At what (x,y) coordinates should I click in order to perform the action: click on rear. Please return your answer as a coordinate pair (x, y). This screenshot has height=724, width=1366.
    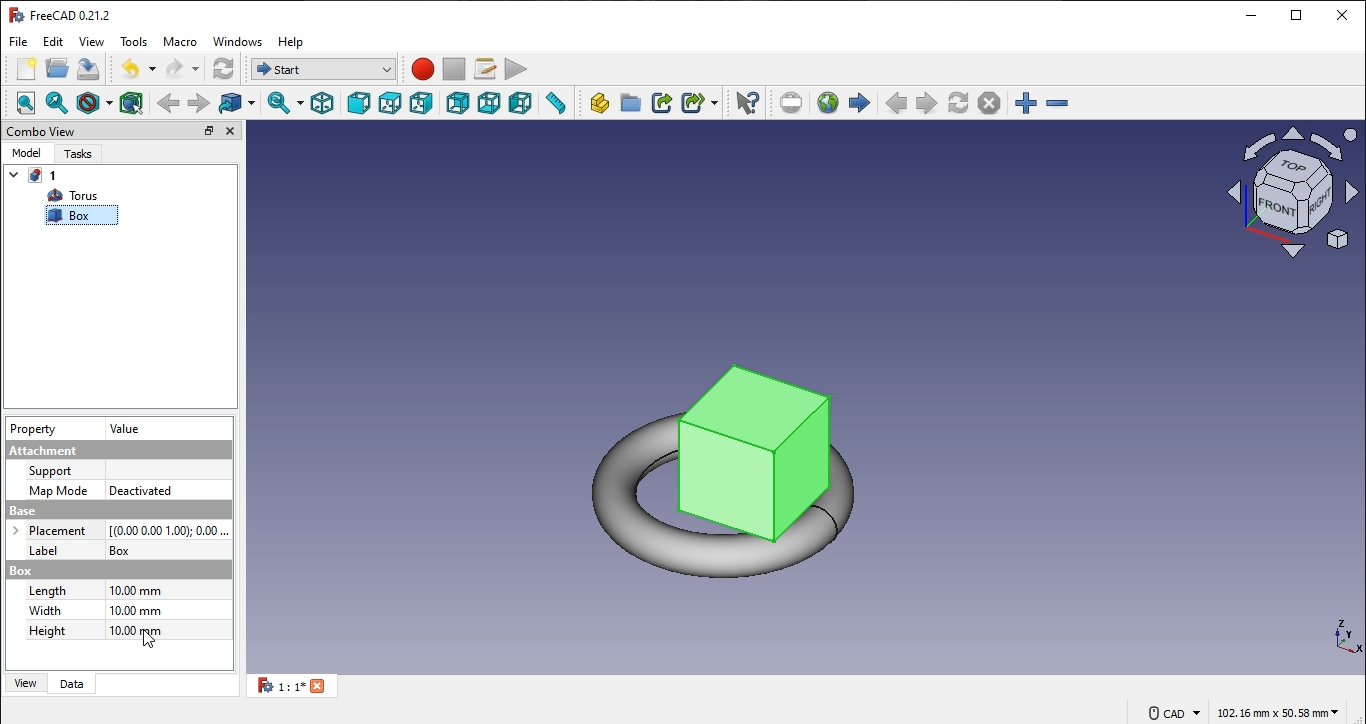
    Looking at the image, I should click on (459, 102).